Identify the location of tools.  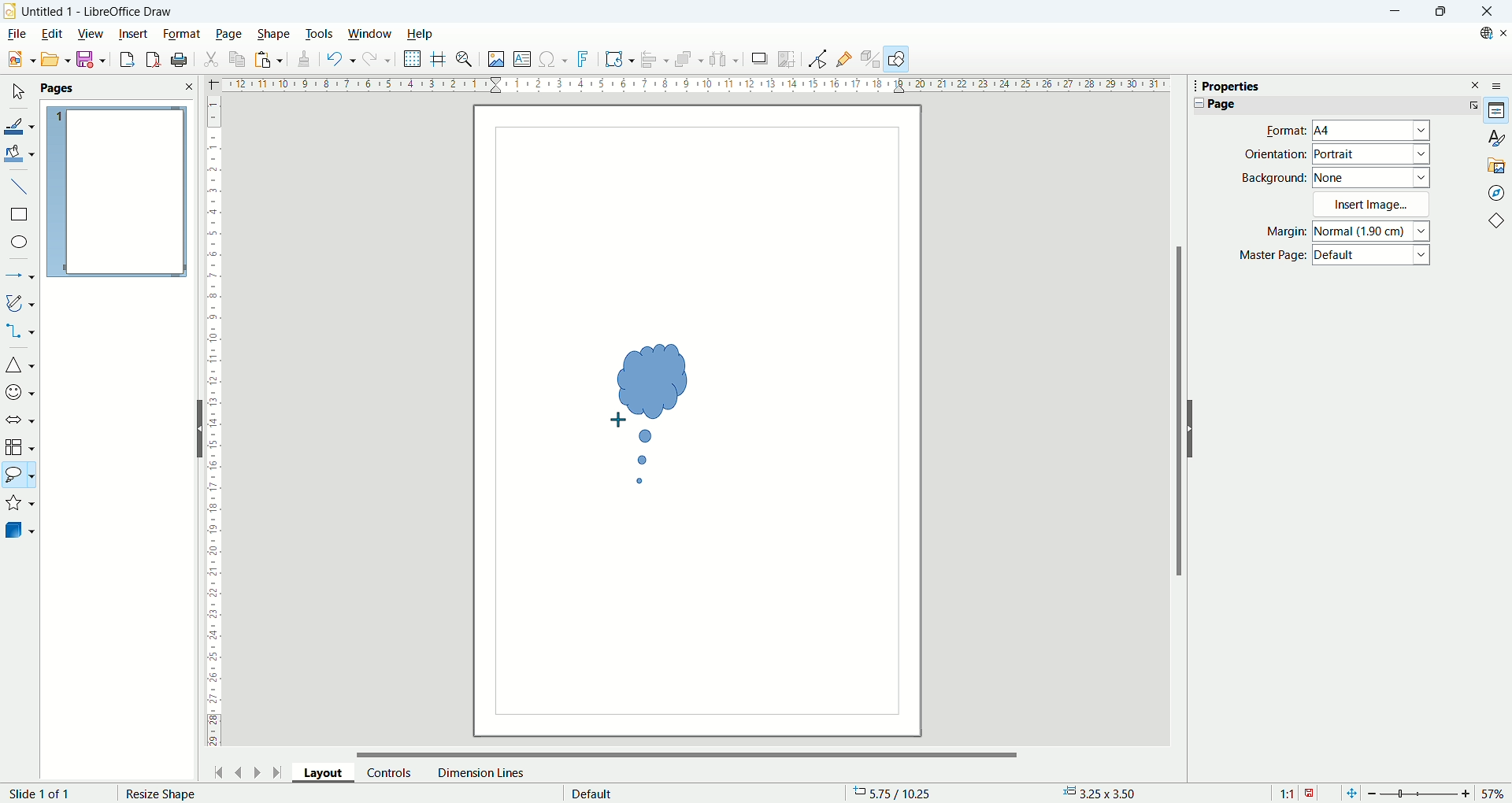
(321, 32).